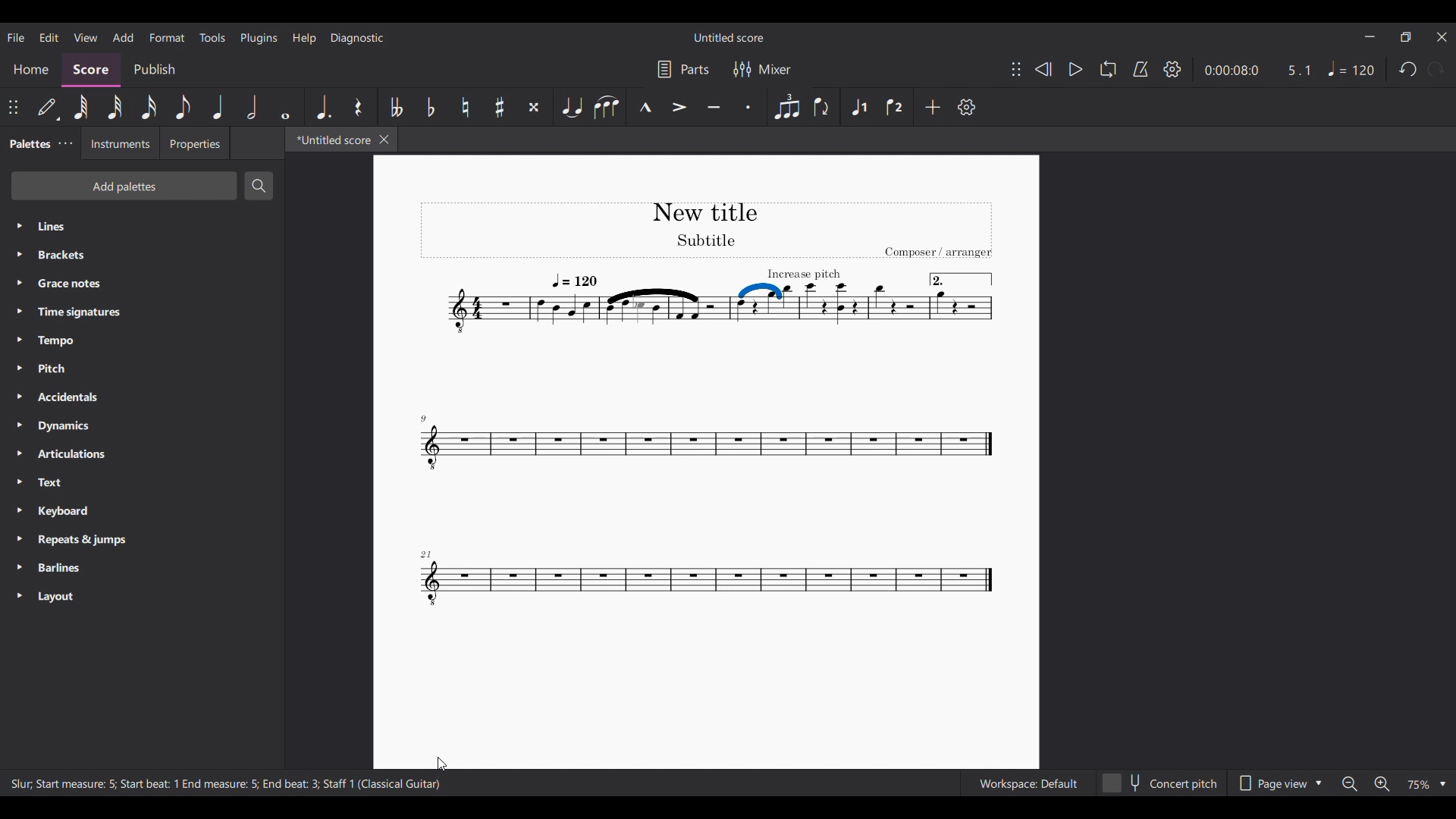 The width and height of the screenshot is (1456, 819). Describe the element at coordinates (705, 240) in the screenshot. I see `Title section off current score` at that location.